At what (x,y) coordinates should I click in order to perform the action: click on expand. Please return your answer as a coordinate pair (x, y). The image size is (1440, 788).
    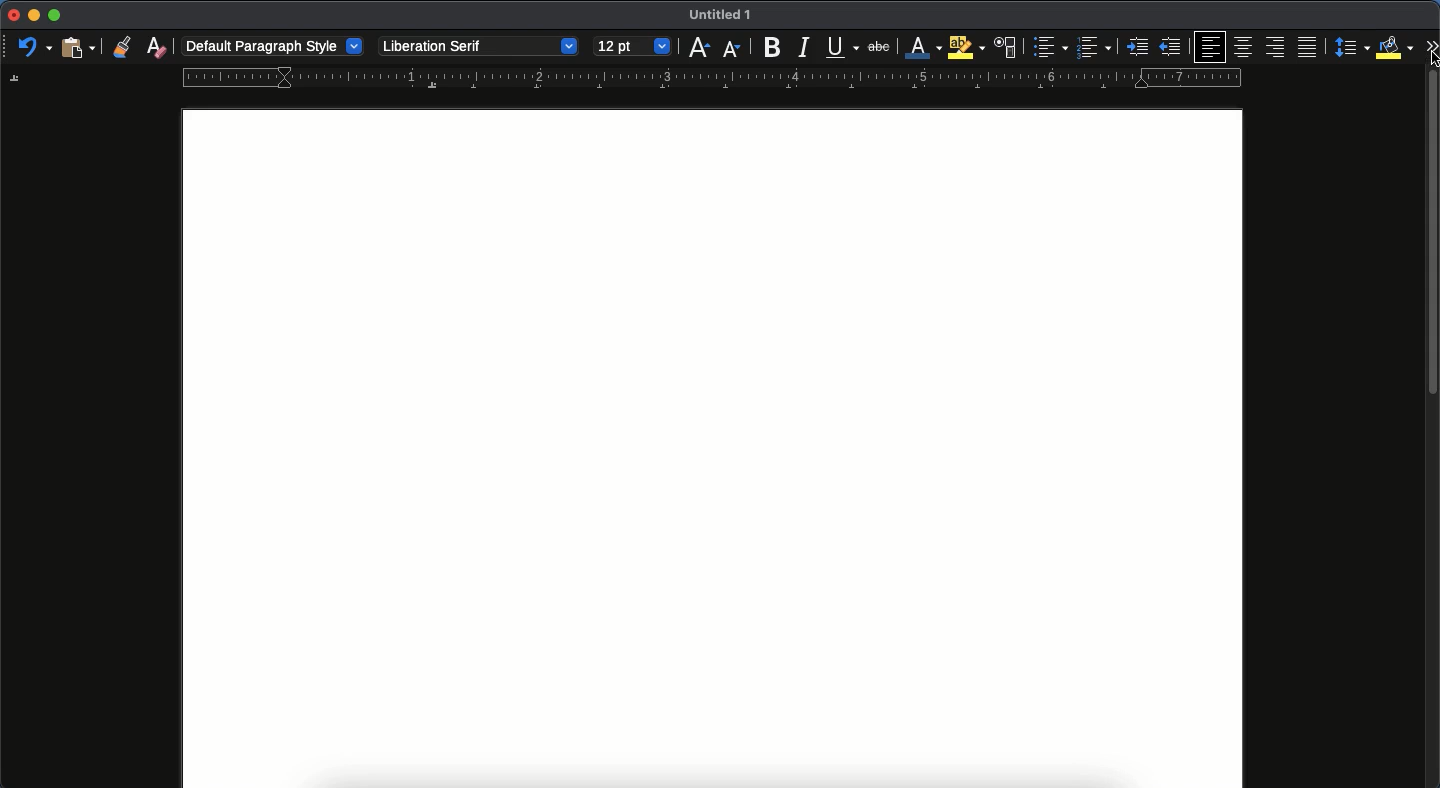
    Looking at the image, I should click on (1431, 45).